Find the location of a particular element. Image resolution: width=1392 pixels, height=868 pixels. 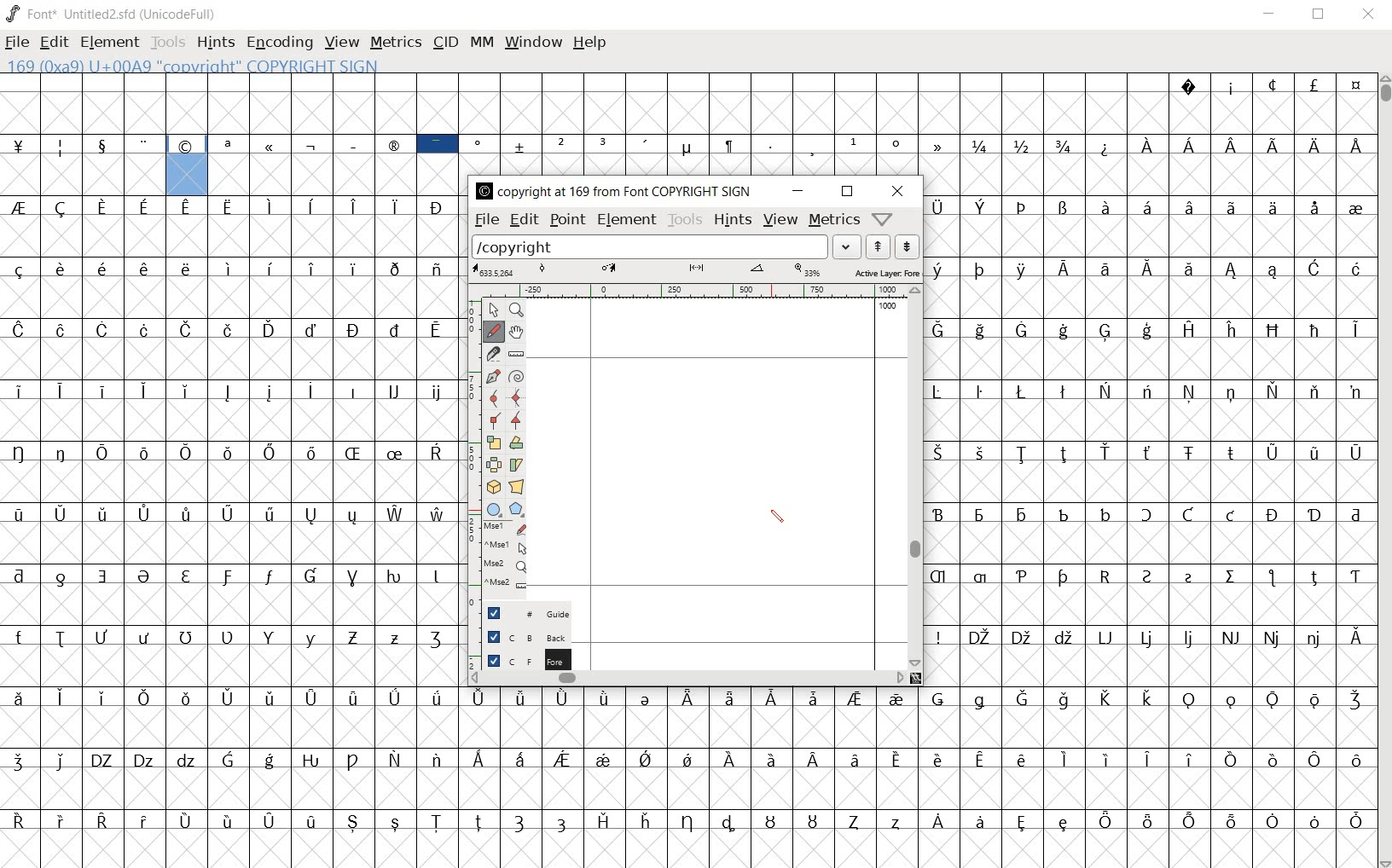

169 (0x9a) U+00A9 "copyright" COPYRIGHT SIGN is located at coordinates (274, 66).